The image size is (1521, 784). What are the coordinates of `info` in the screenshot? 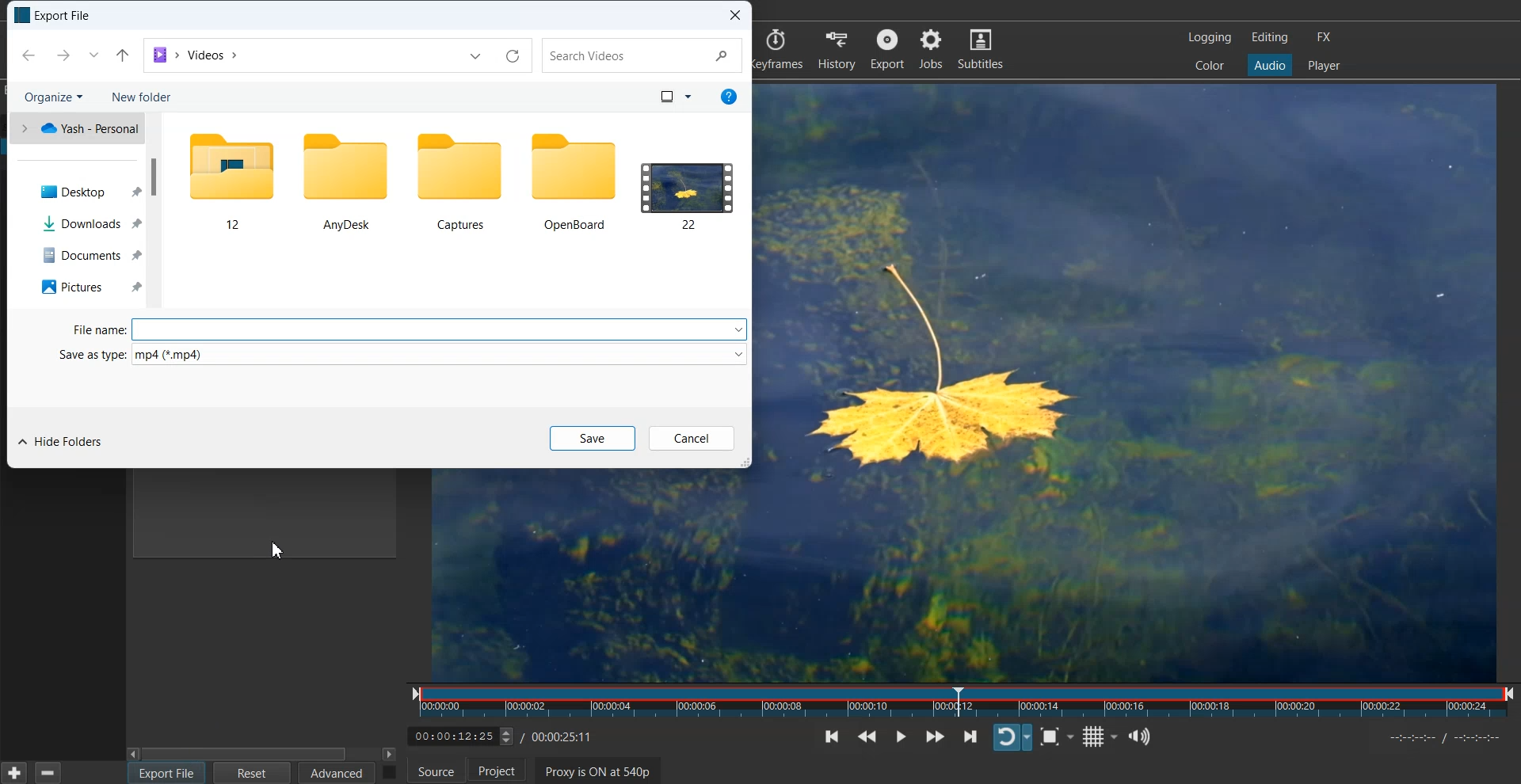 It's located at (726, 97).